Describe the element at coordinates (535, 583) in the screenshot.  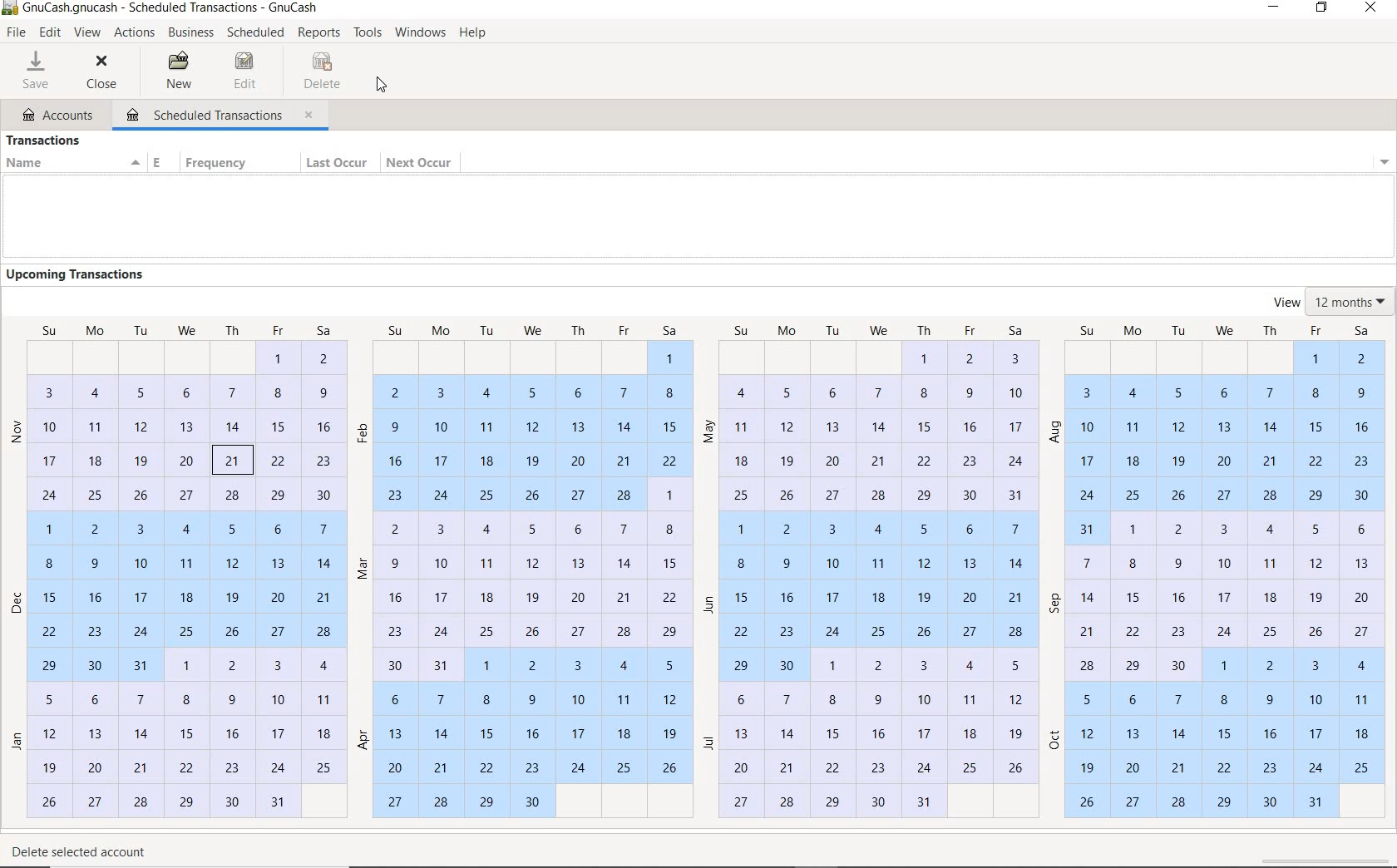
I see `dates` at that location.